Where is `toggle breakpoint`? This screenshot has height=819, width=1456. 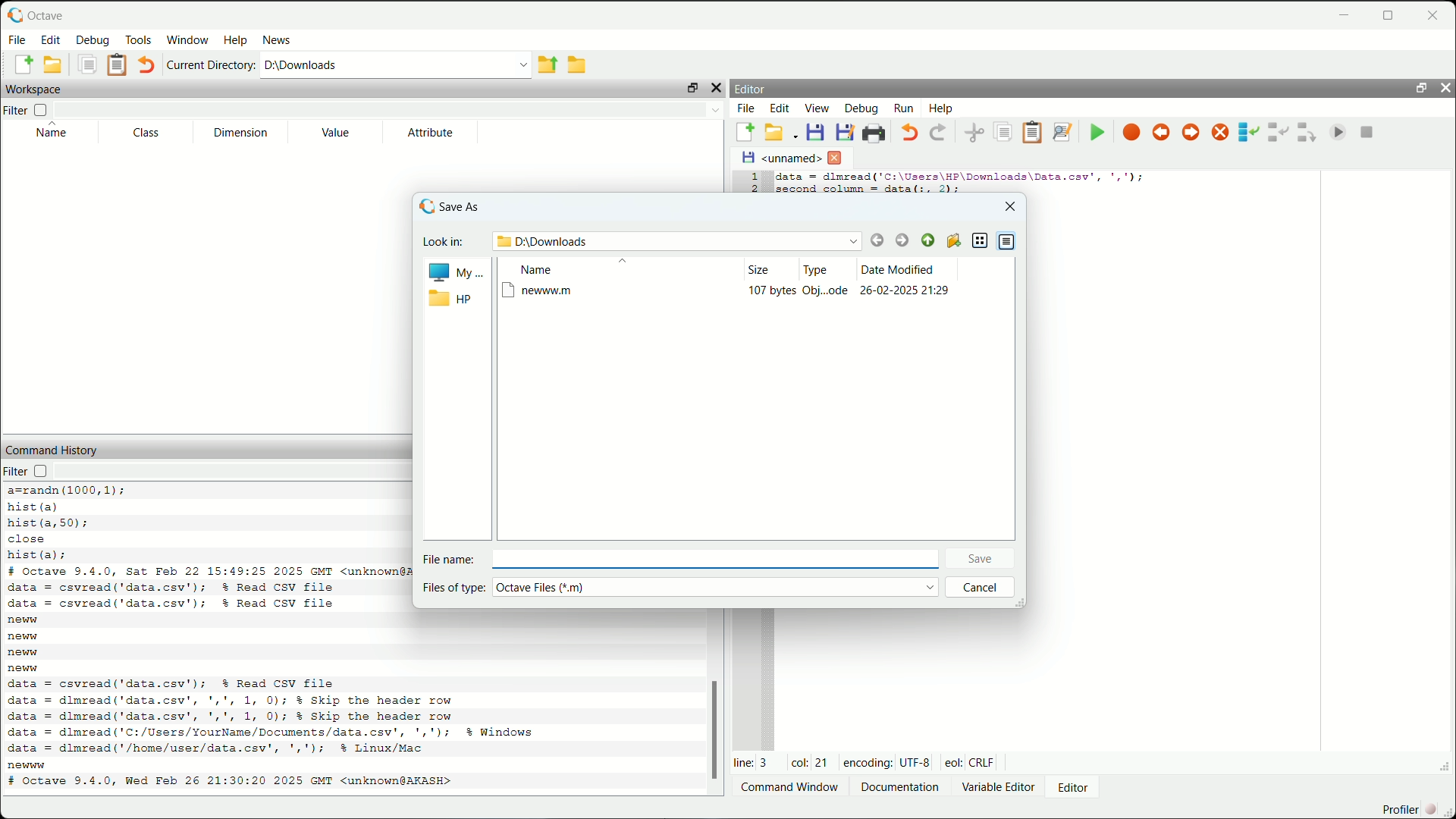 toggle breakpoint is located at coordinates (1131, 134).